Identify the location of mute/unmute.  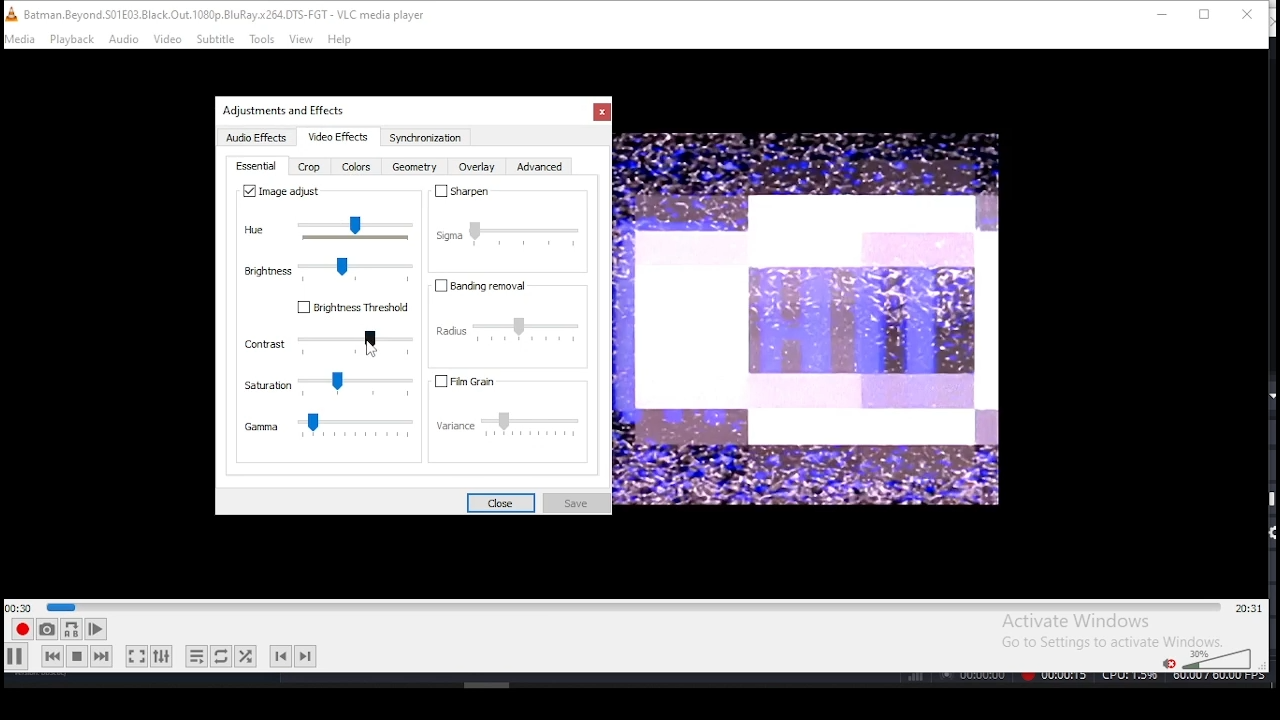
(1166, 662).